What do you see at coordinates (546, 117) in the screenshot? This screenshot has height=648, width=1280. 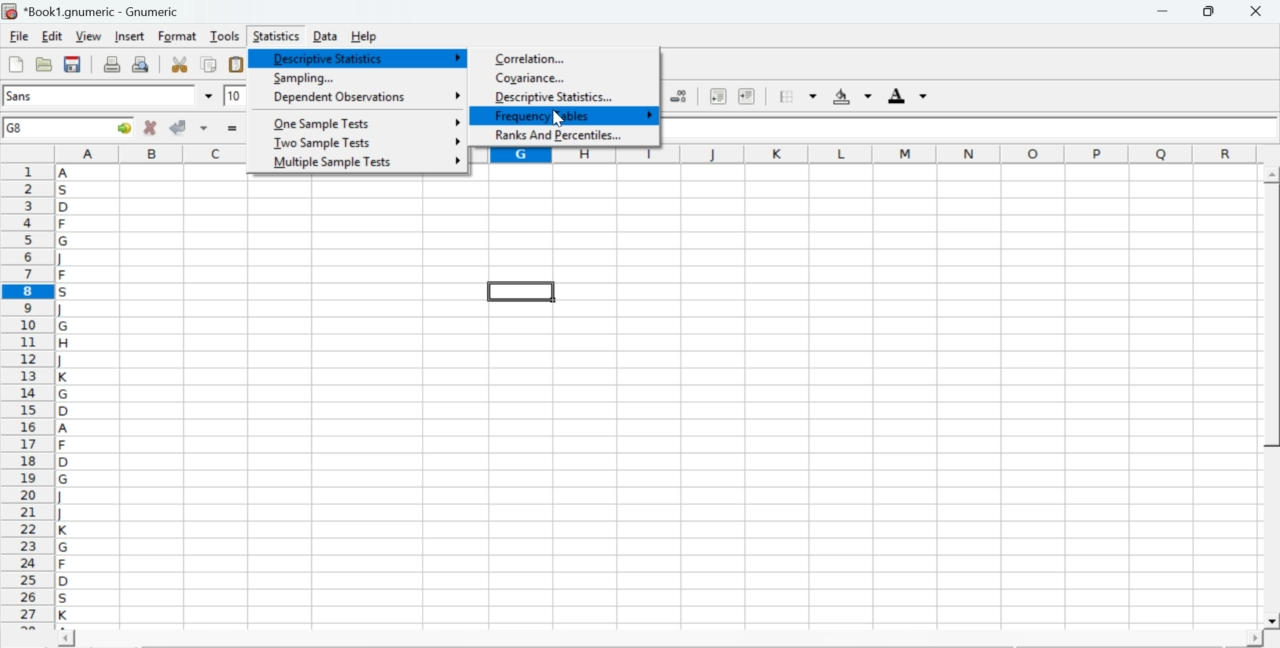 I see `frequency tables` at bounding box center [546, 117].